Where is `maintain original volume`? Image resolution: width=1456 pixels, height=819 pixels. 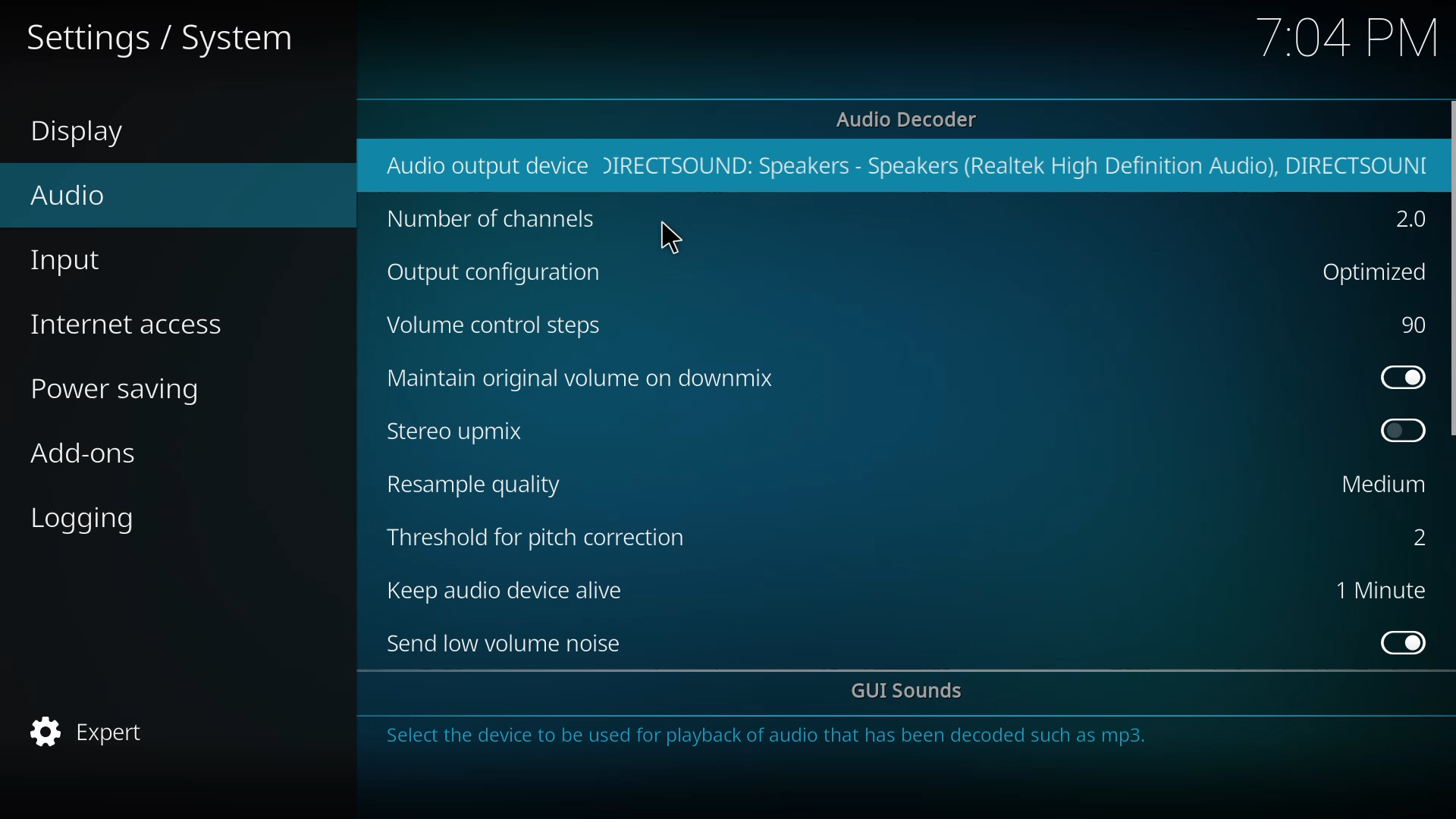
maintain original volume is located at coordinates (585, 376).